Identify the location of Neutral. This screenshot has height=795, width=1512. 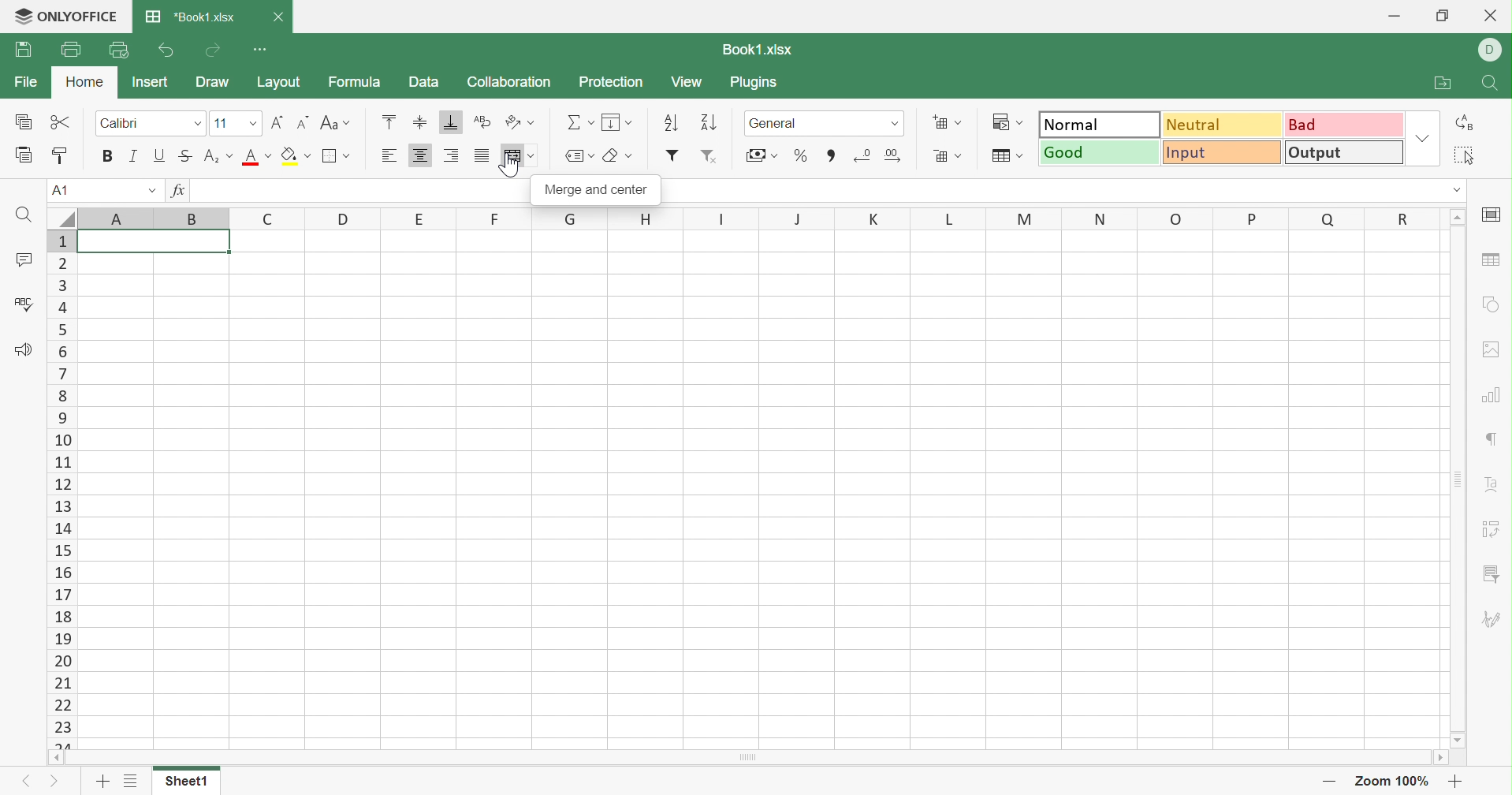
(1220, 124).